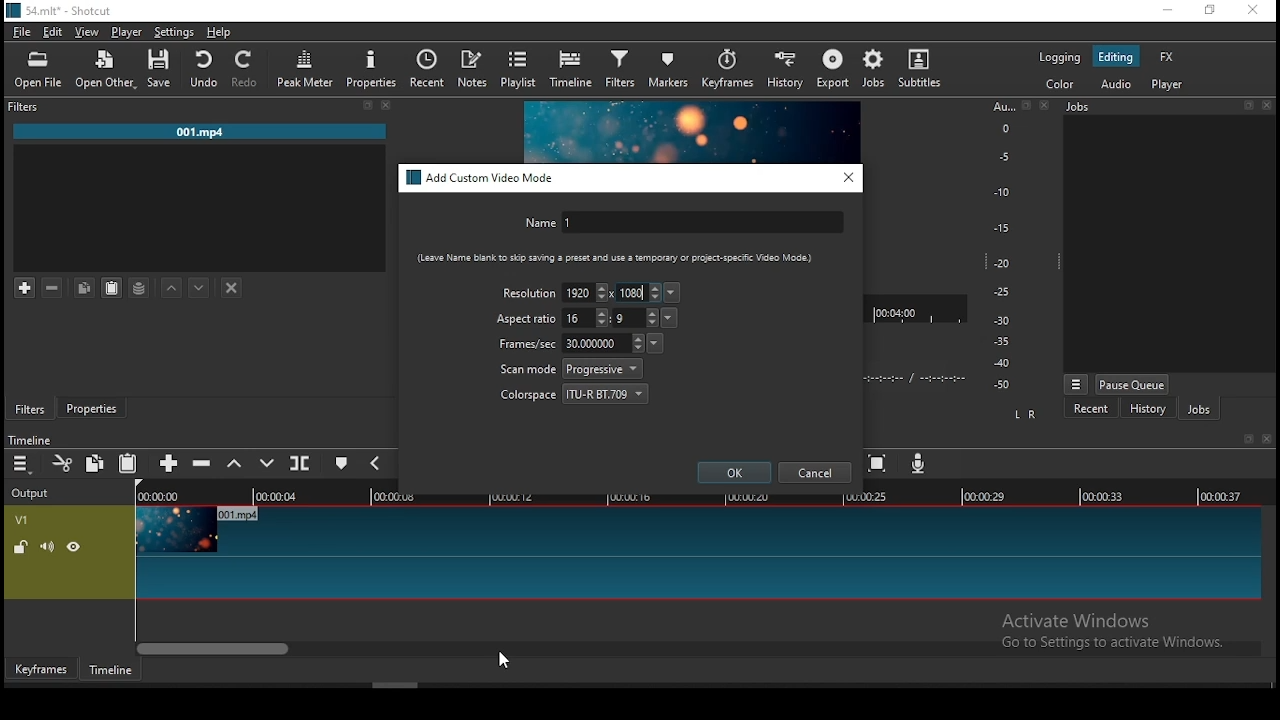 The width and height of the screenshot is (1280, 720). Describe the element at coordinates (387, 105) in the screenshot. I see `close` at that location.